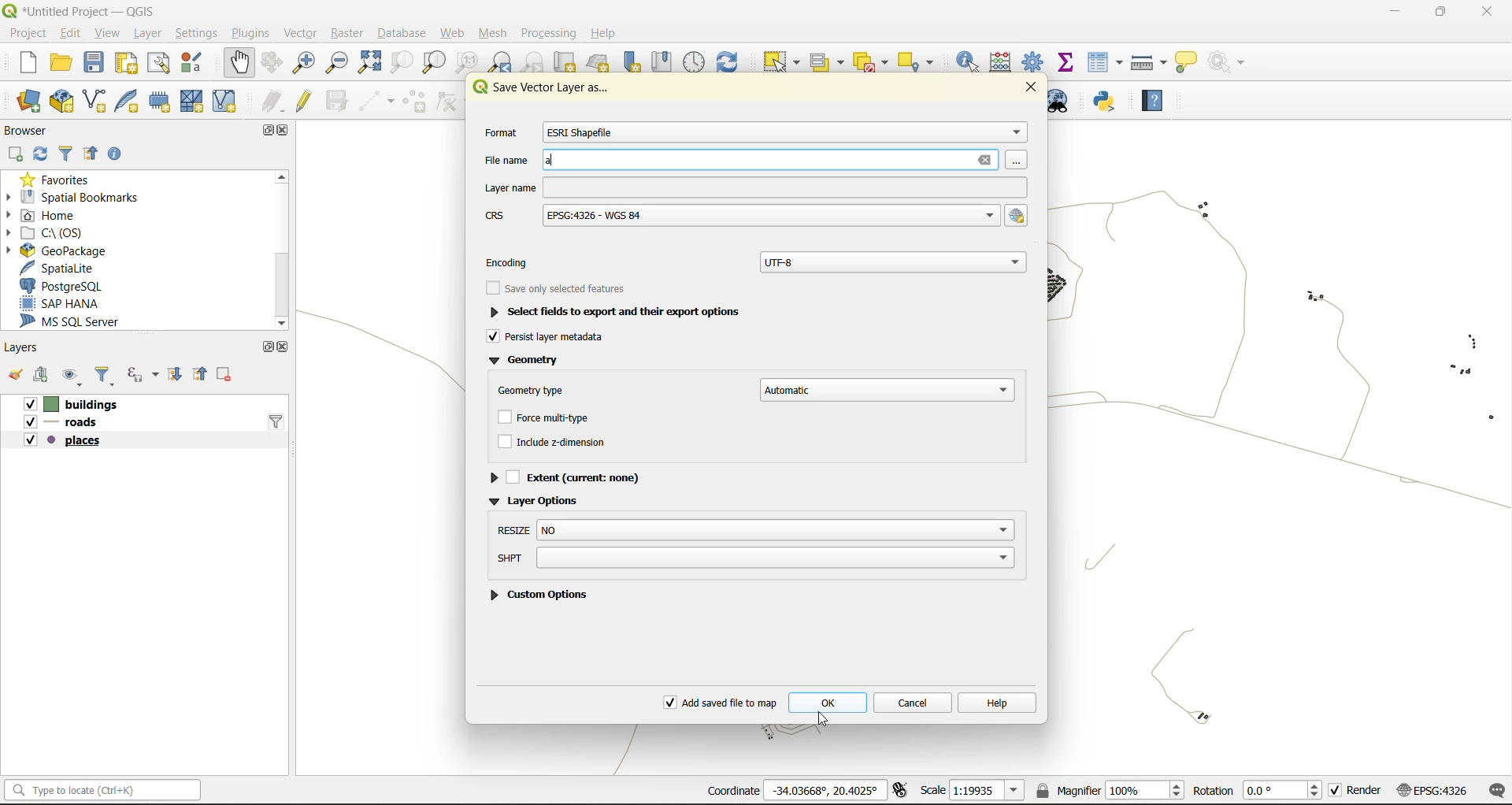 The width and height of the screenshot is (1512, 805). Describe the element at coordinates (374, 101) in the screenshot. I see `digitize` at that location.